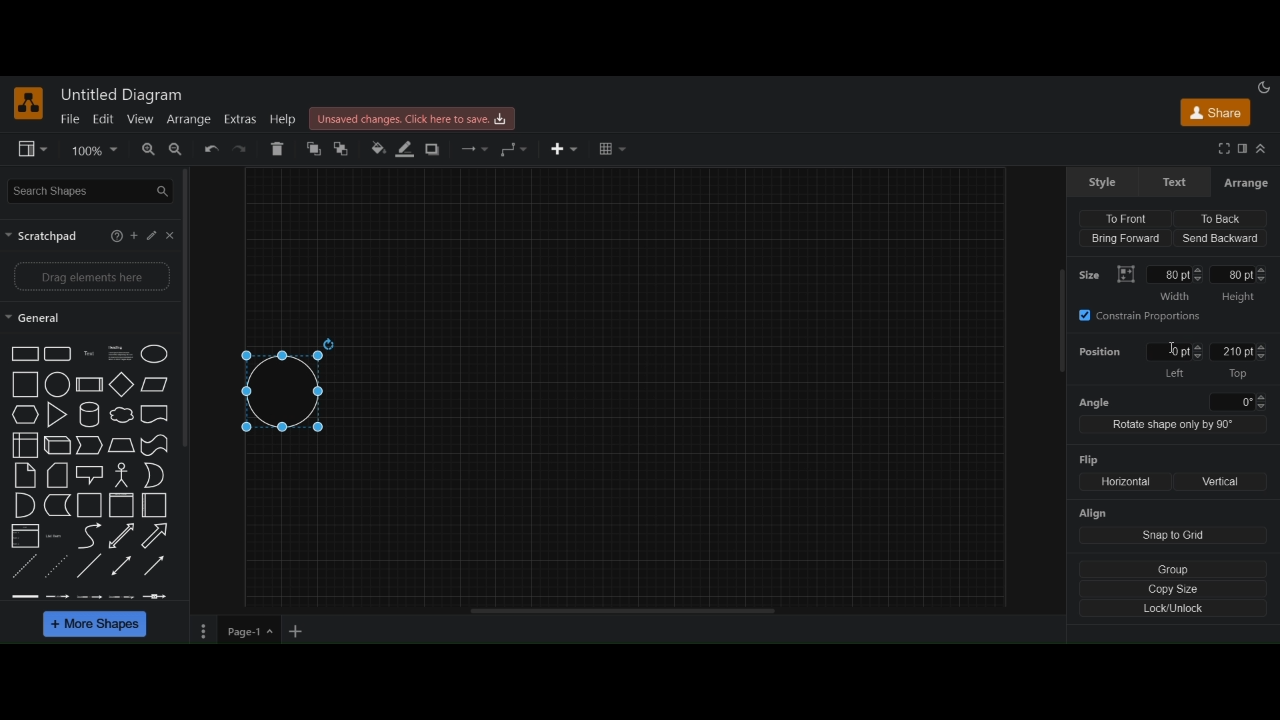  What do you see at coordinates (92, 278) in the screenshot?
I see `drag elements here` at bounding box center [92, 278].